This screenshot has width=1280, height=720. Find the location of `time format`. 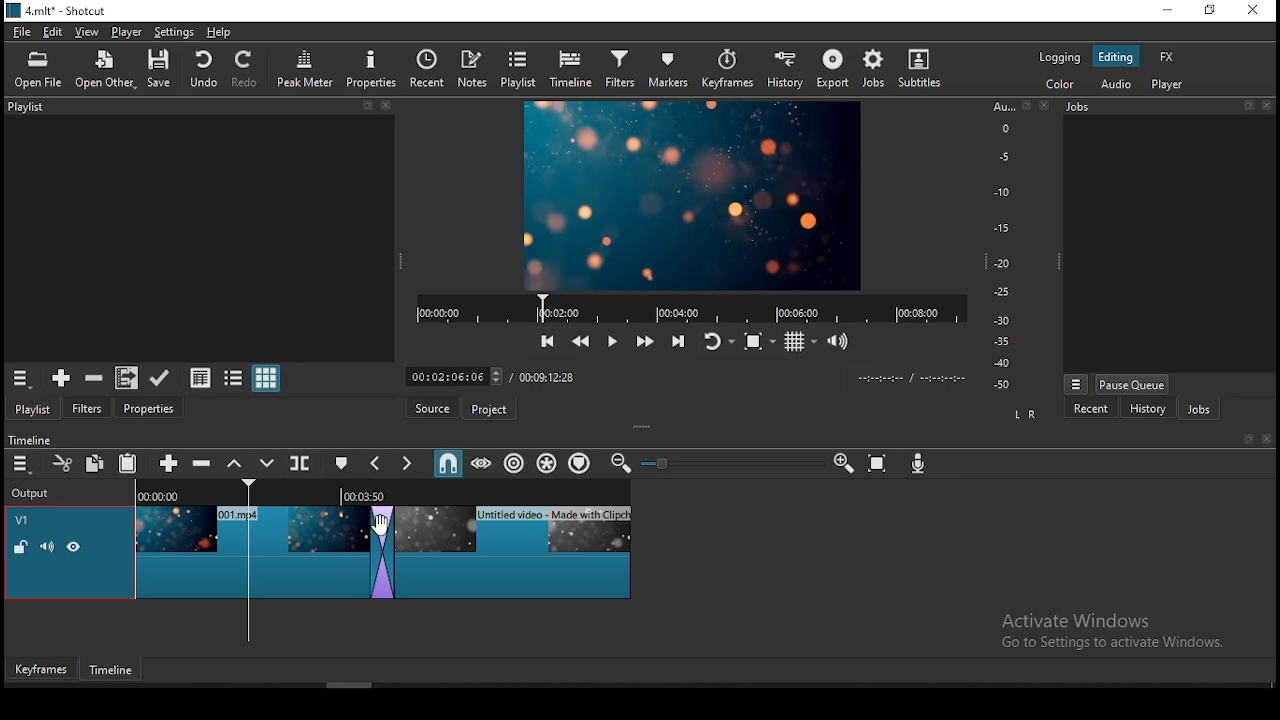

time format is located at coordinates (910, 376).